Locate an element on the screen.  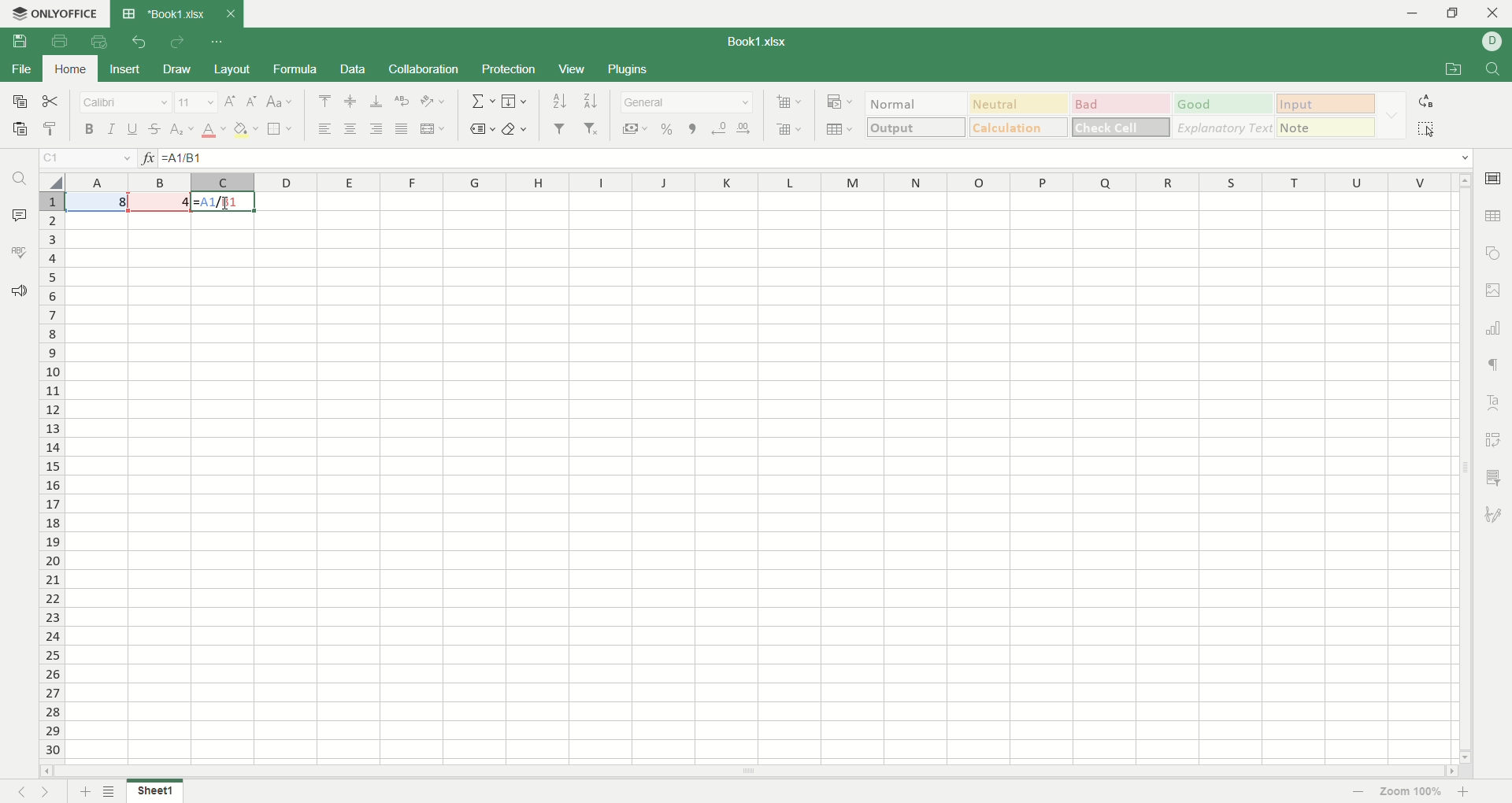
background color is located at coordinates (246, 130).